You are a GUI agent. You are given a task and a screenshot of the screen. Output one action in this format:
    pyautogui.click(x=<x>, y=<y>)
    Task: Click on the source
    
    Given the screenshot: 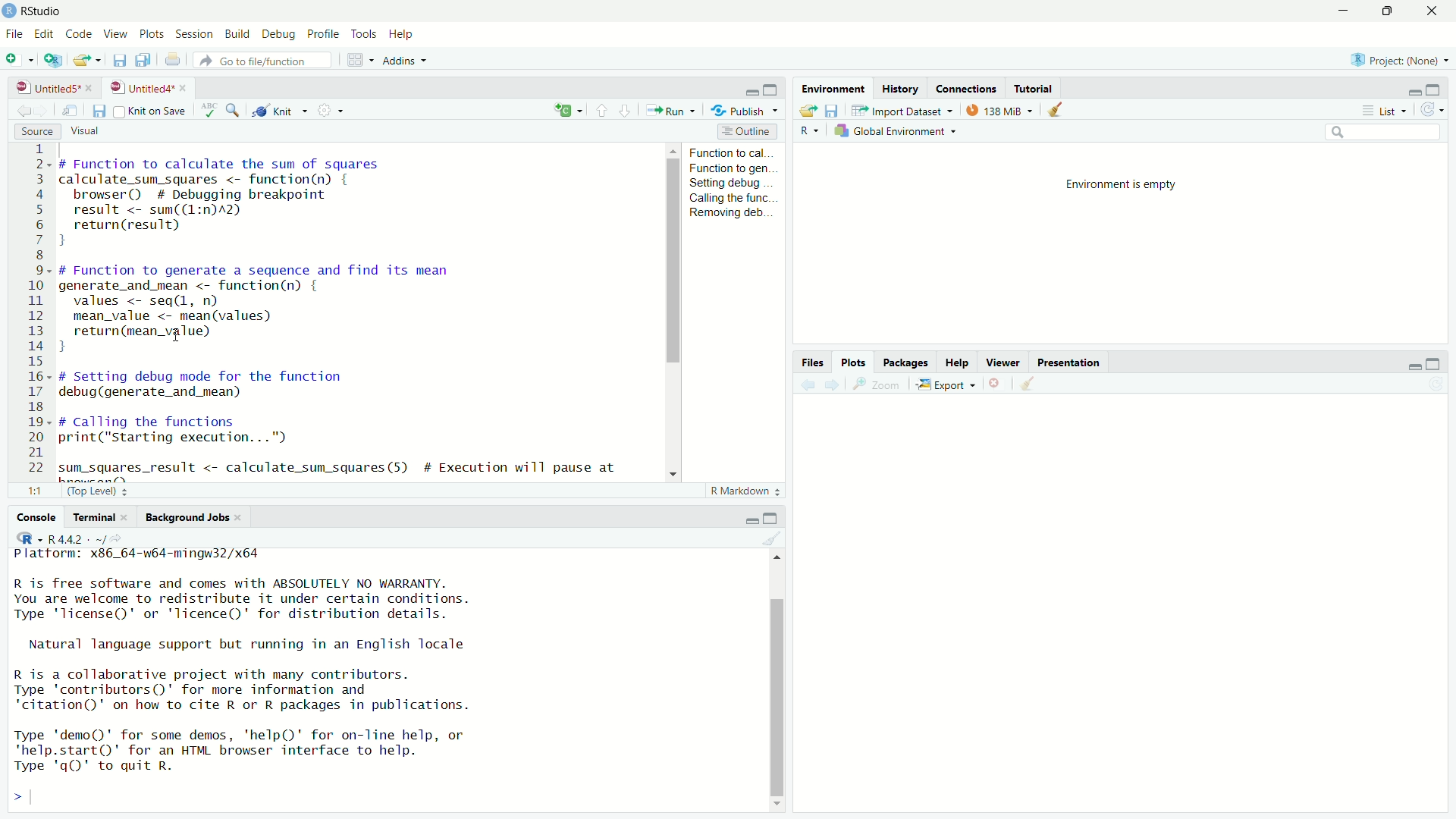 What is the action you would take?
    pyautogui.click(x=36, y=132)
    